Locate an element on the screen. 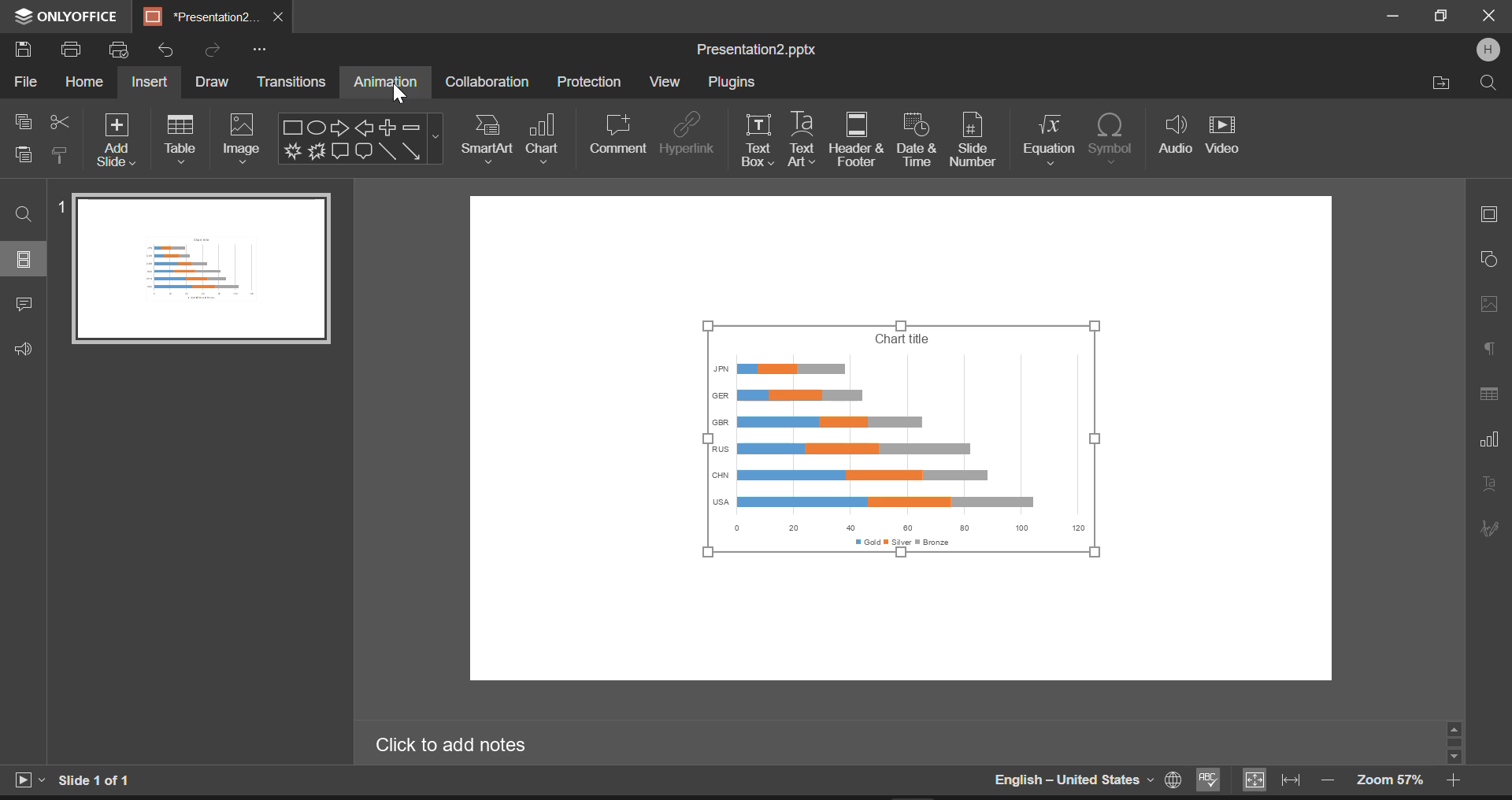 Image resolution: width=1512 pixels, height=800 pixels. Equation is located at coordinates (1049, 140).